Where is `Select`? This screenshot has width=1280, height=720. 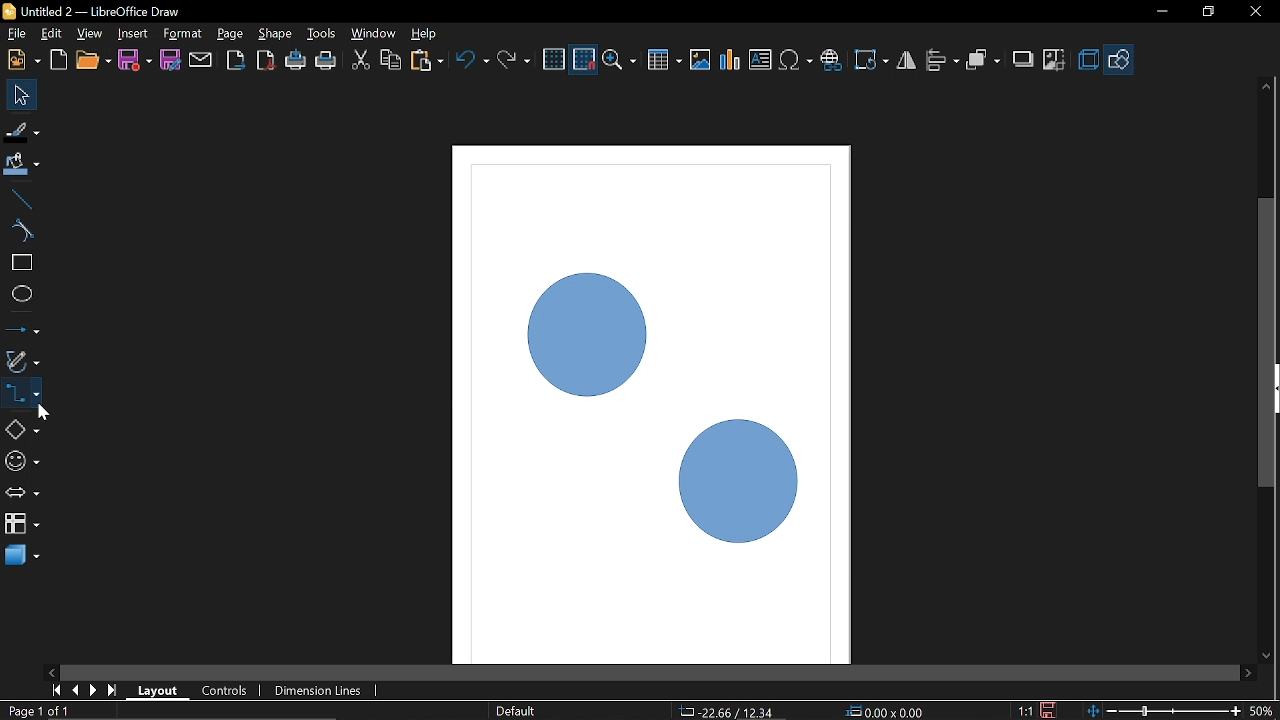 Select is located at coordinates (22, 95).